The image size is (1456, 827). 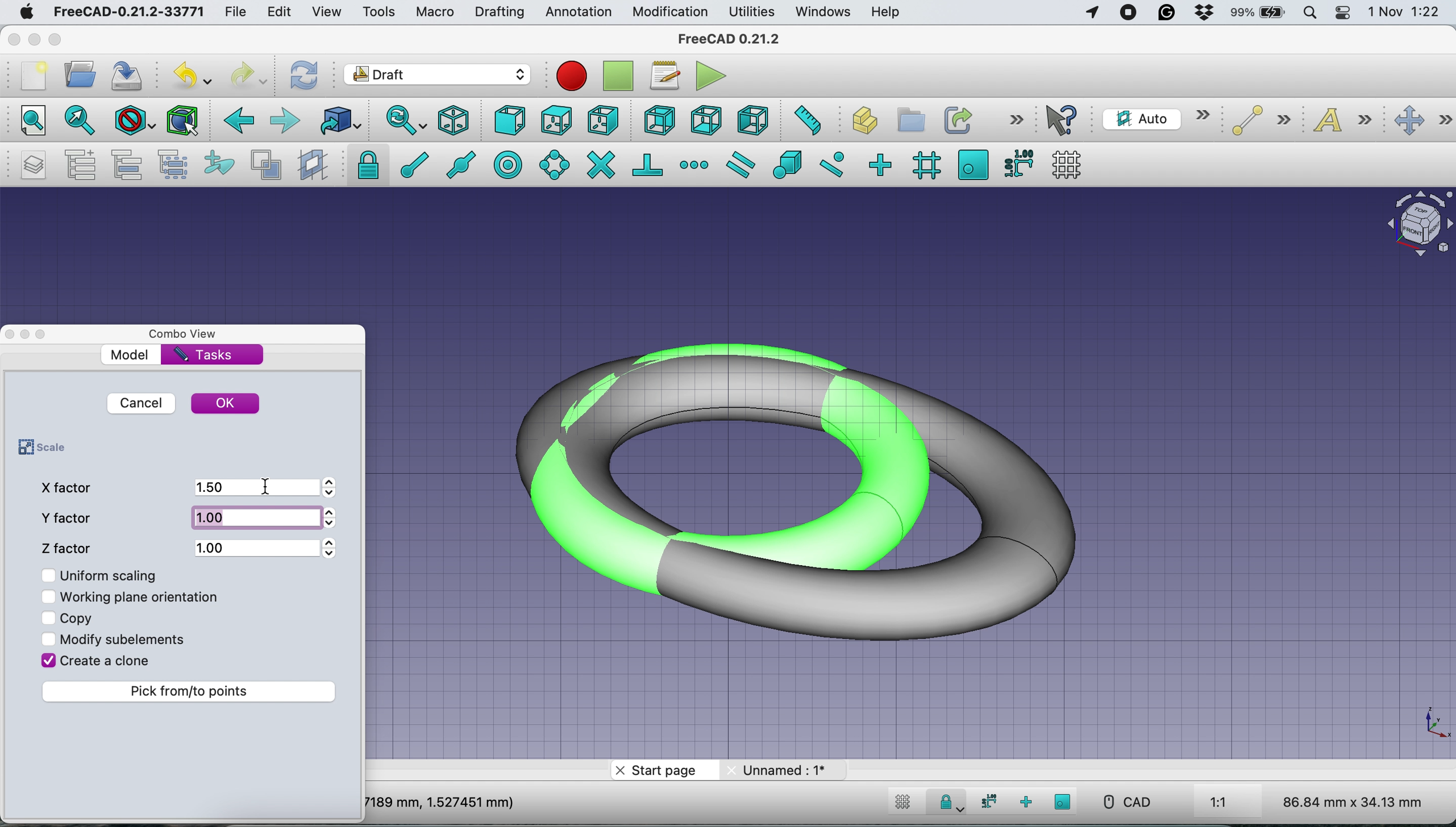 I want to click on right, so click(x=602, y=122).